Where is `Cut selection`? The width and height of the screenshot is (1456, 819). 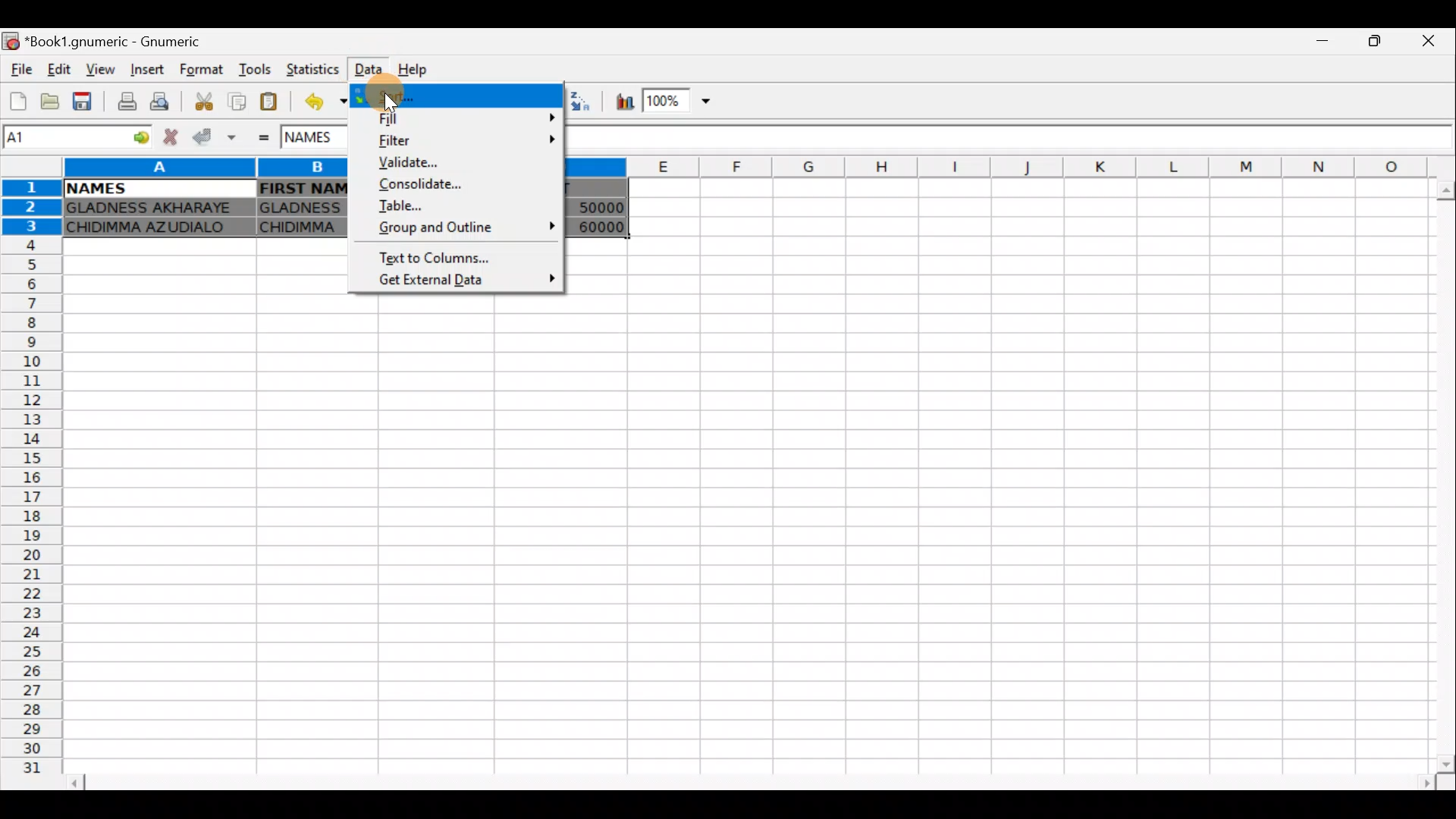
Cut selection is located at coordinates (208, 104).